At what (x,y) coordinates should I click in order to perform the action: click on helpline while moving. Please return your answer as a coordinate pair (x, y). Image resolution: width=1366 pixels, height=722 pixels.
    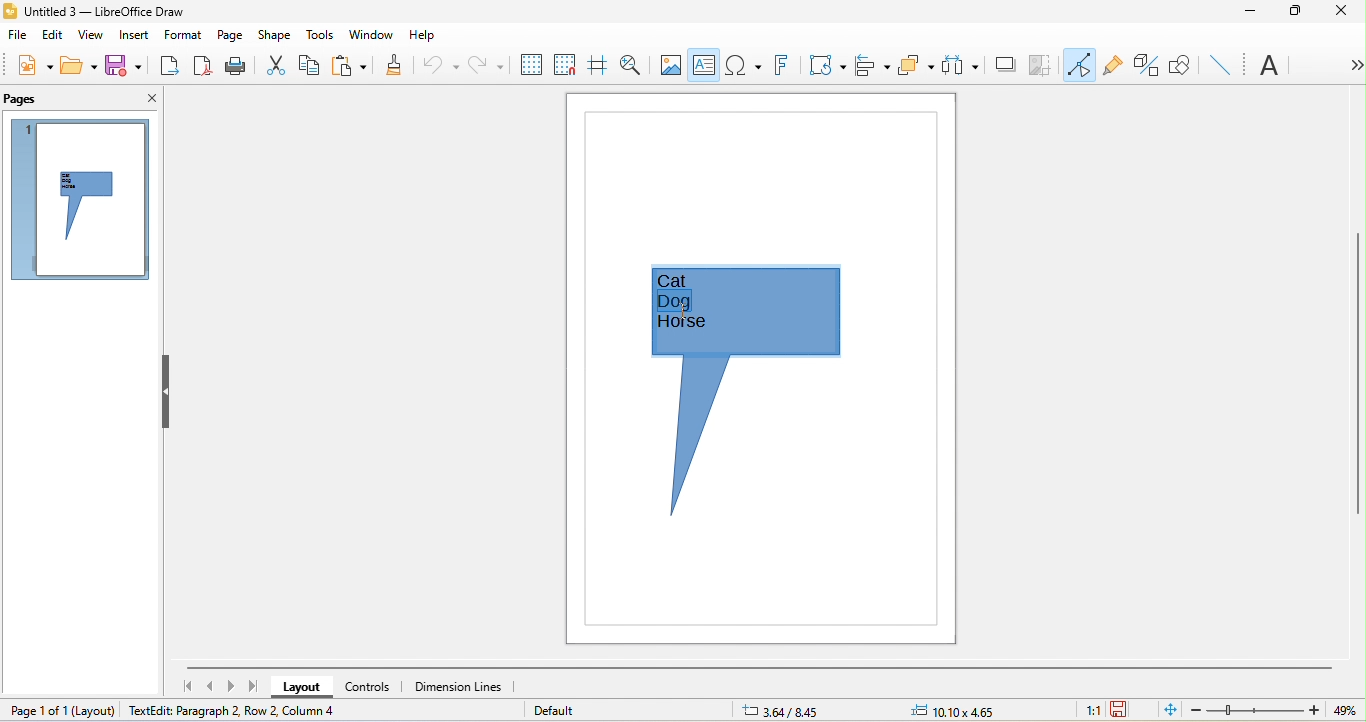
    Looking at the image, I should click on (598, 67).